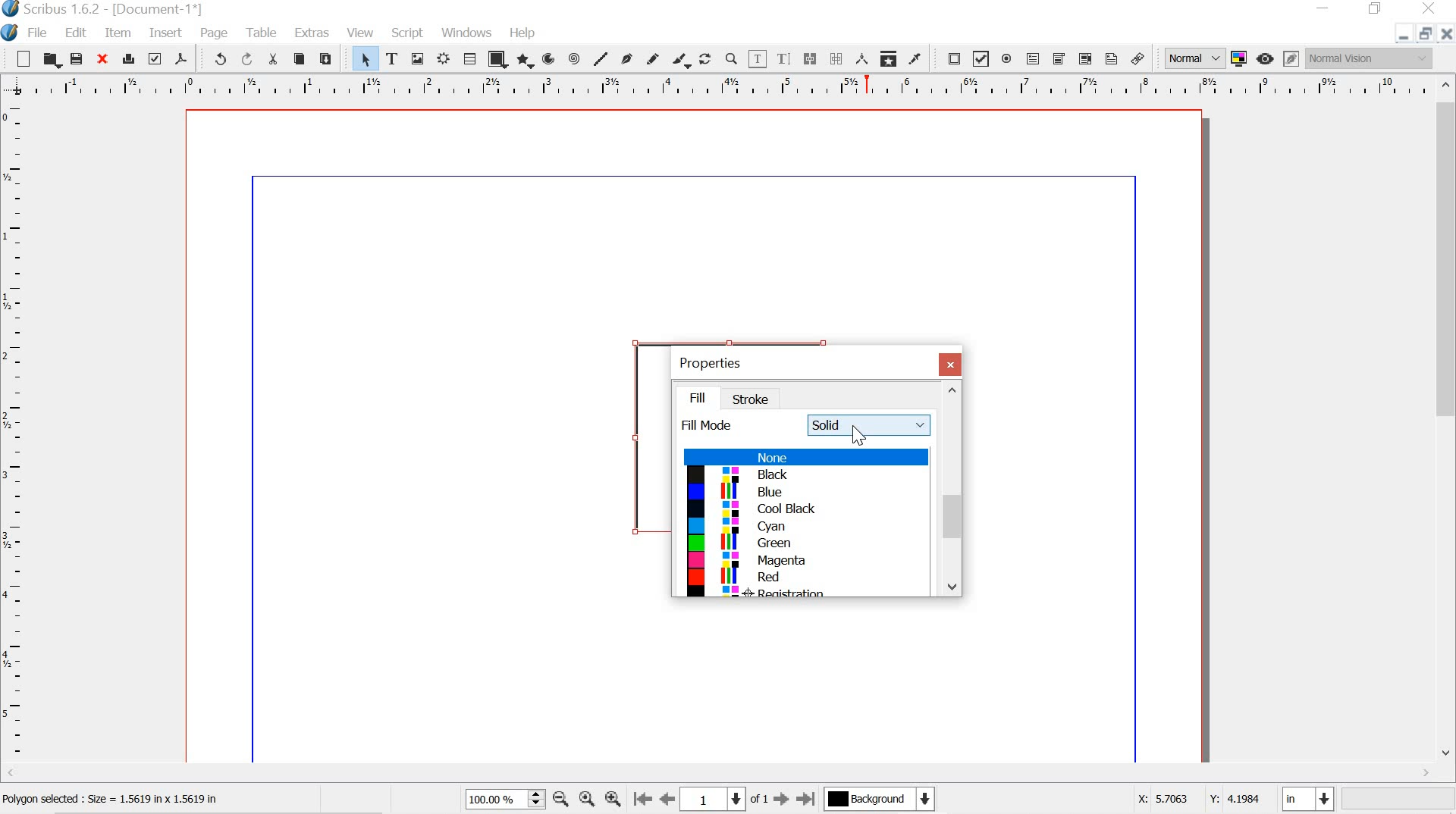 The image size is (1456, 814). Describe the element at coordinates (952, 490) in the screenshot. I see `scrollbar` at that location.